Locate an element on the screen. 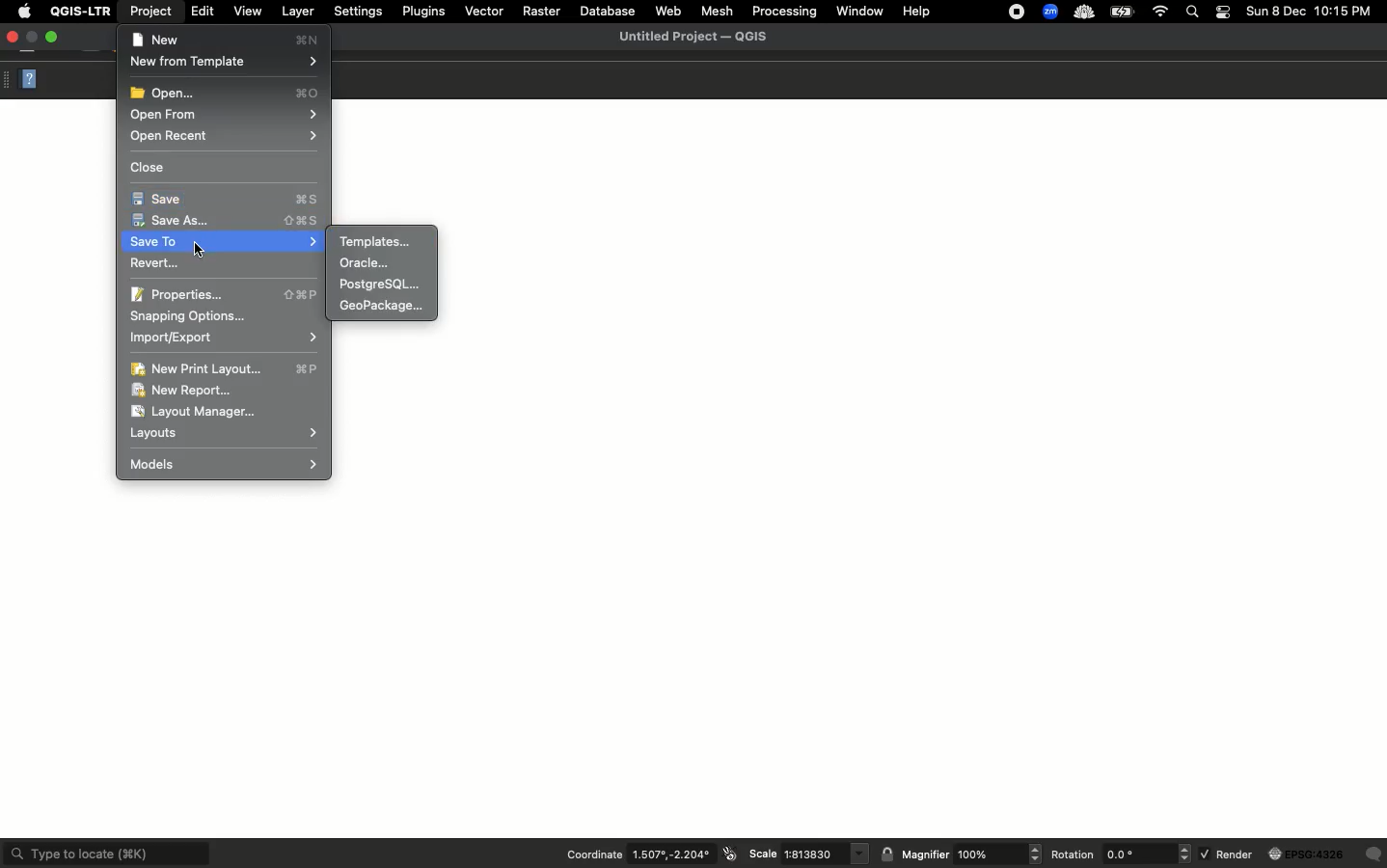 The image size is (1387, 868). globe is located at coordinates (1309, 854).